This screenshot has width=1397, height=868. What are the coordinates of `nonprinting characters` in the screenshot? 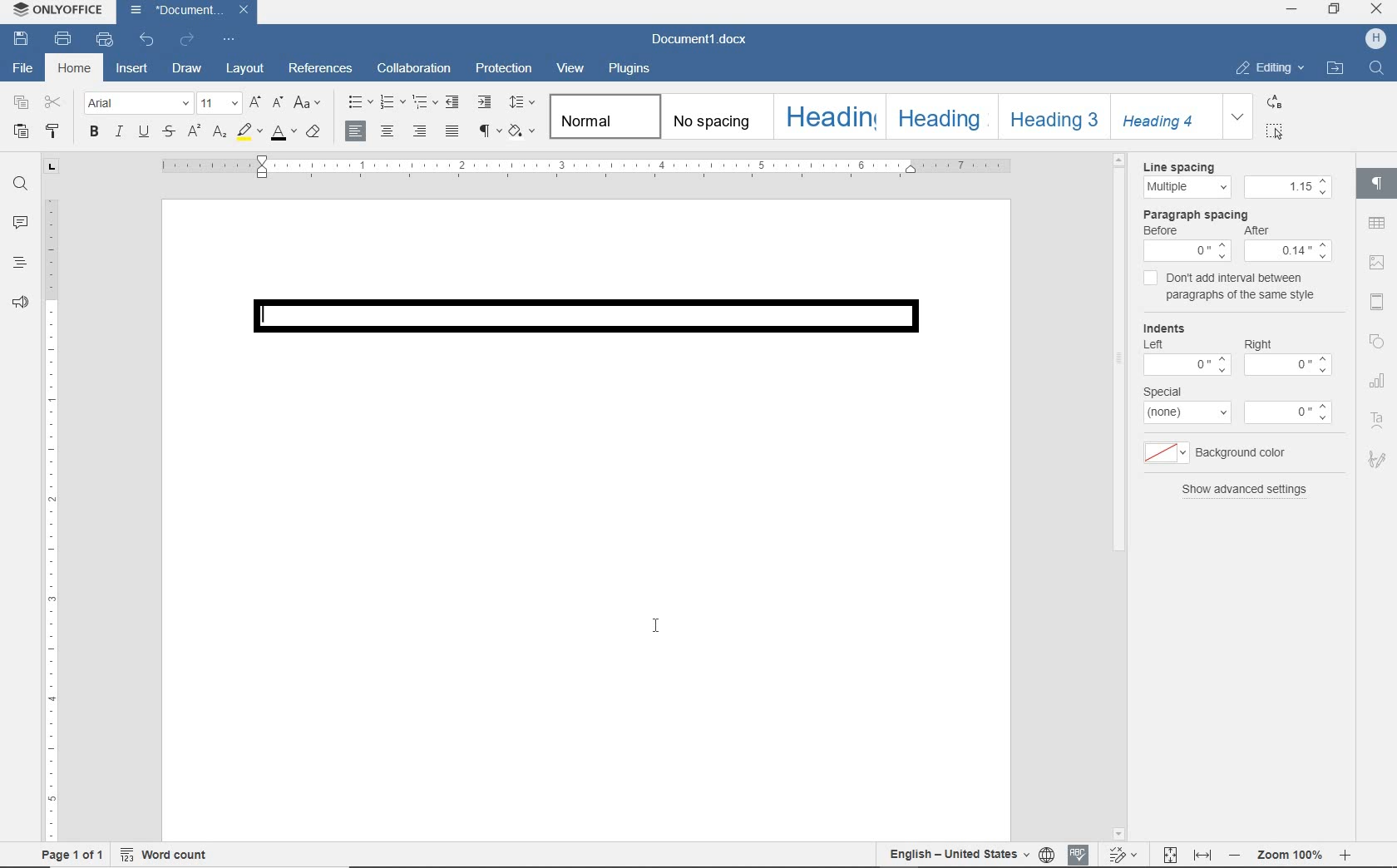 It's located at (488, 132).